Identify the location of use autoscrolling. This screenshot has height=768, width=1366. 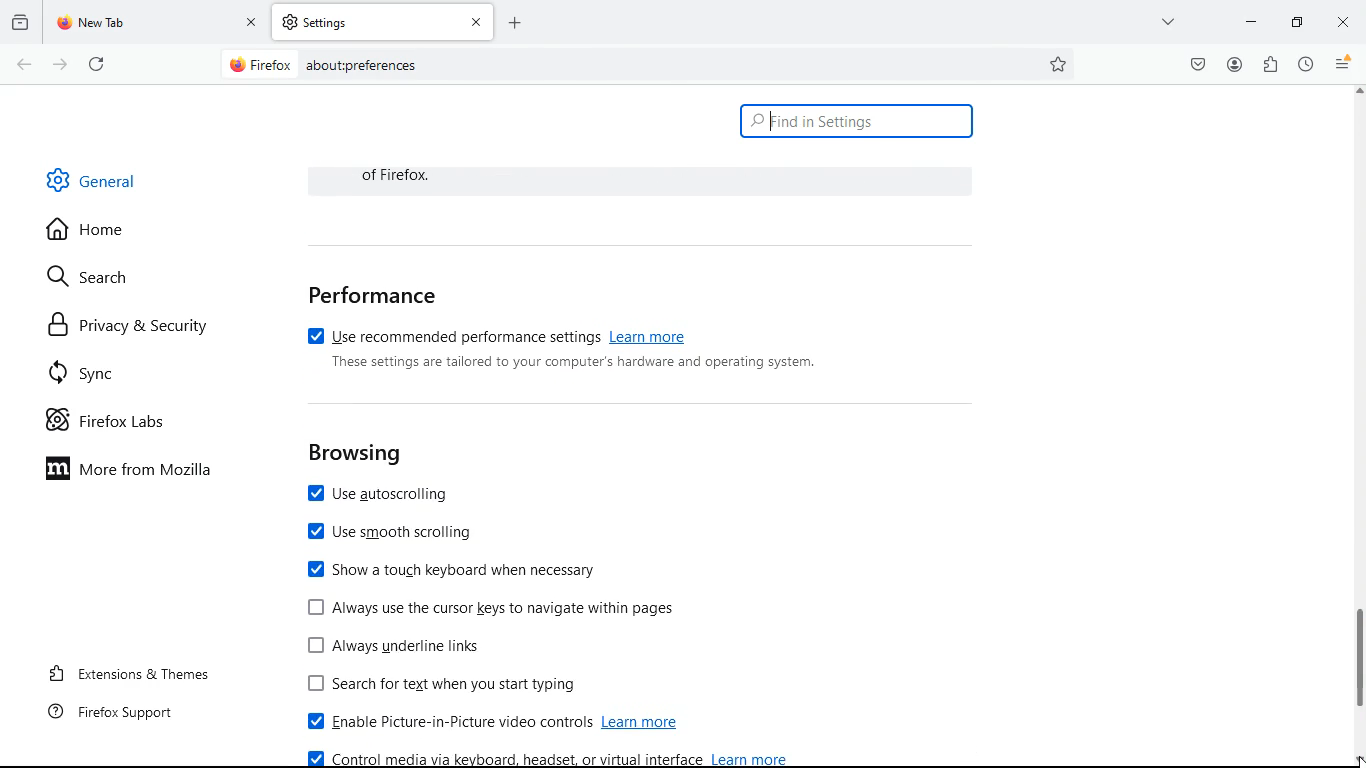
(388, 496).